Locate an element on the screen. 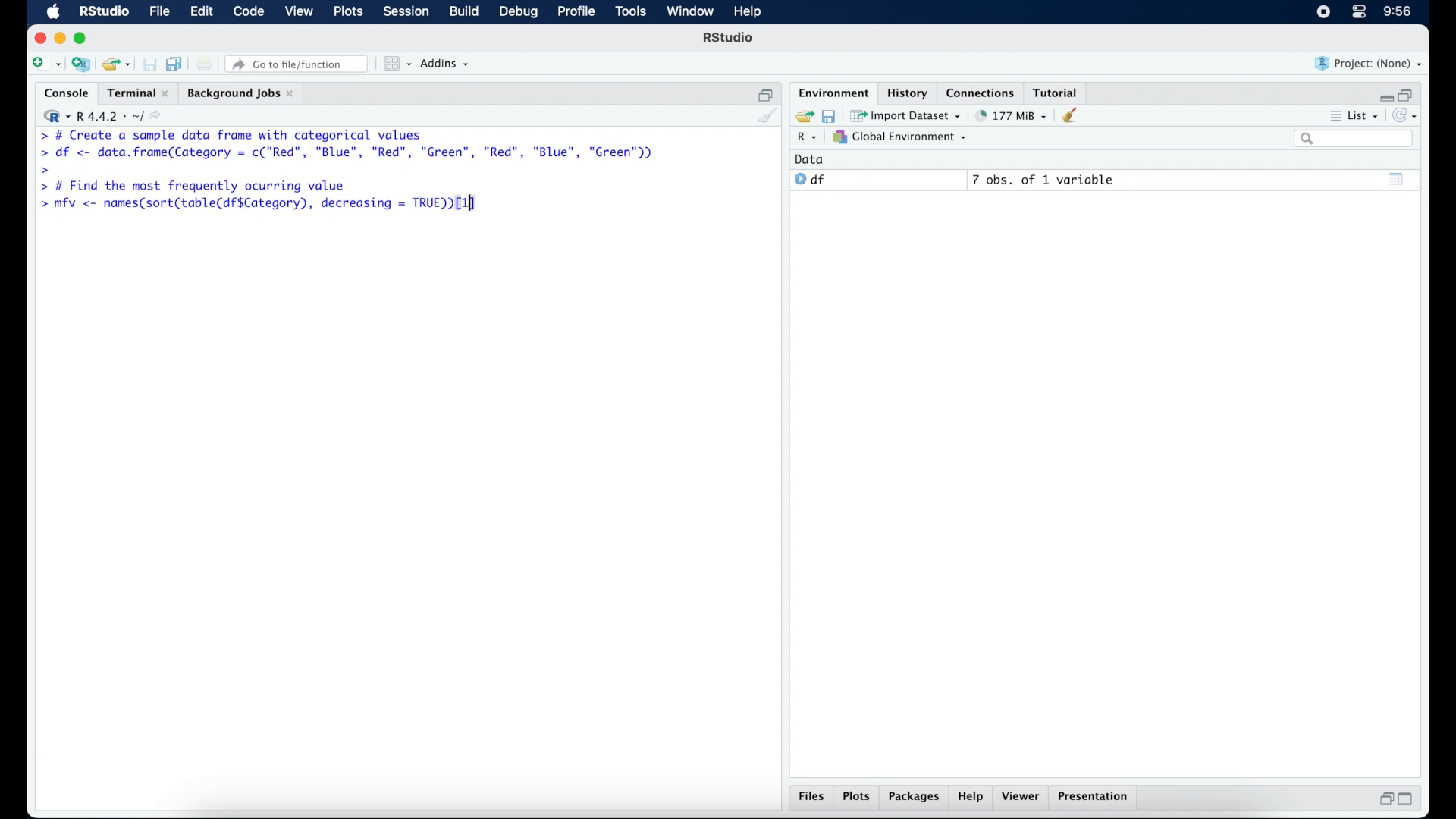 This screenshot has height=819, width=1456. minimize is located at coordinates (1383, 95).